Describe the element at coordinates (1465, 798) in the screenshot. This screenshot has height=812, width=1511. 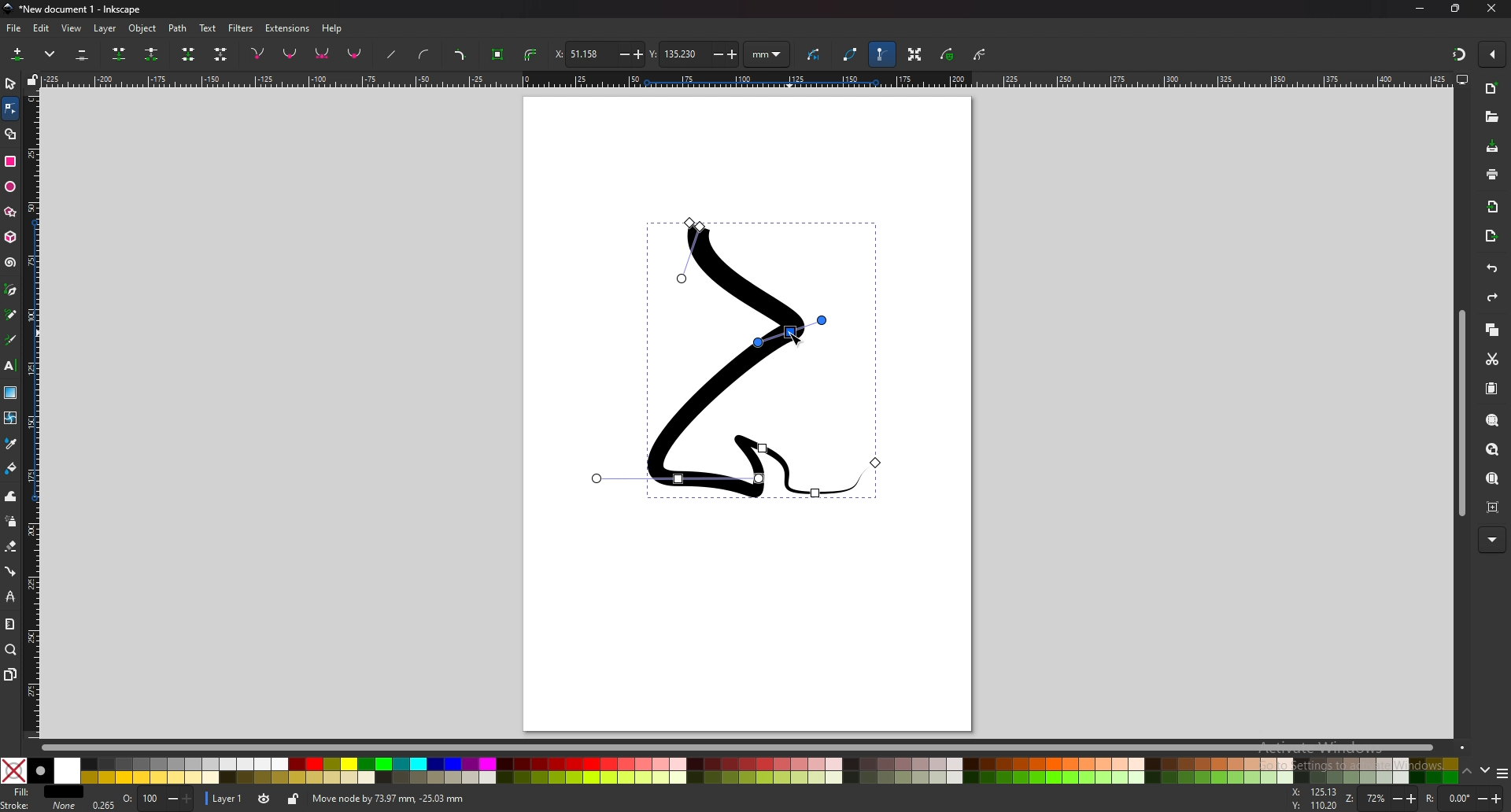
I see `rotation` at that location.